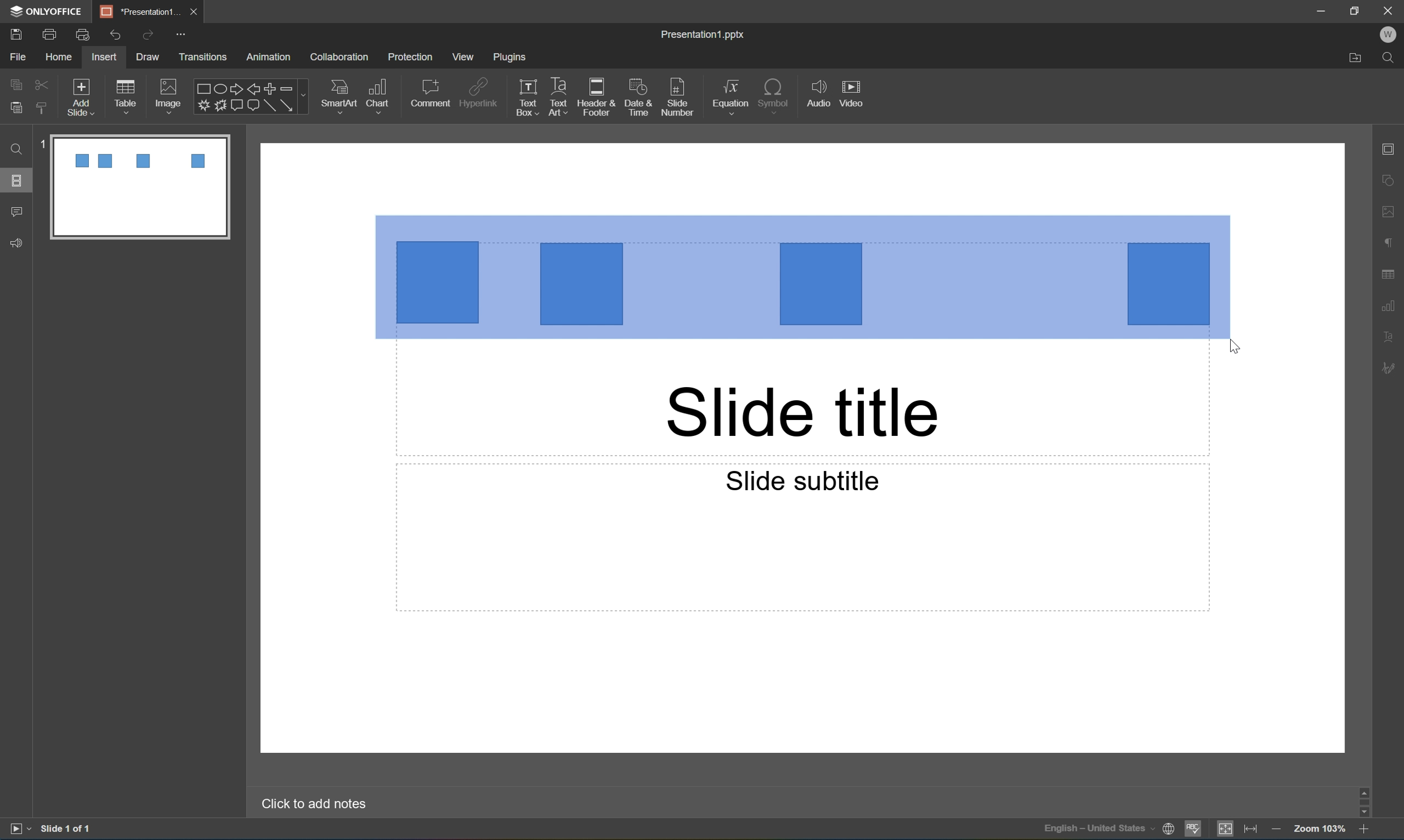  What do you see at coordinates (1393, 242) in the screenshot?
I see `paragraph settings` at bounding box center [1393, 242].